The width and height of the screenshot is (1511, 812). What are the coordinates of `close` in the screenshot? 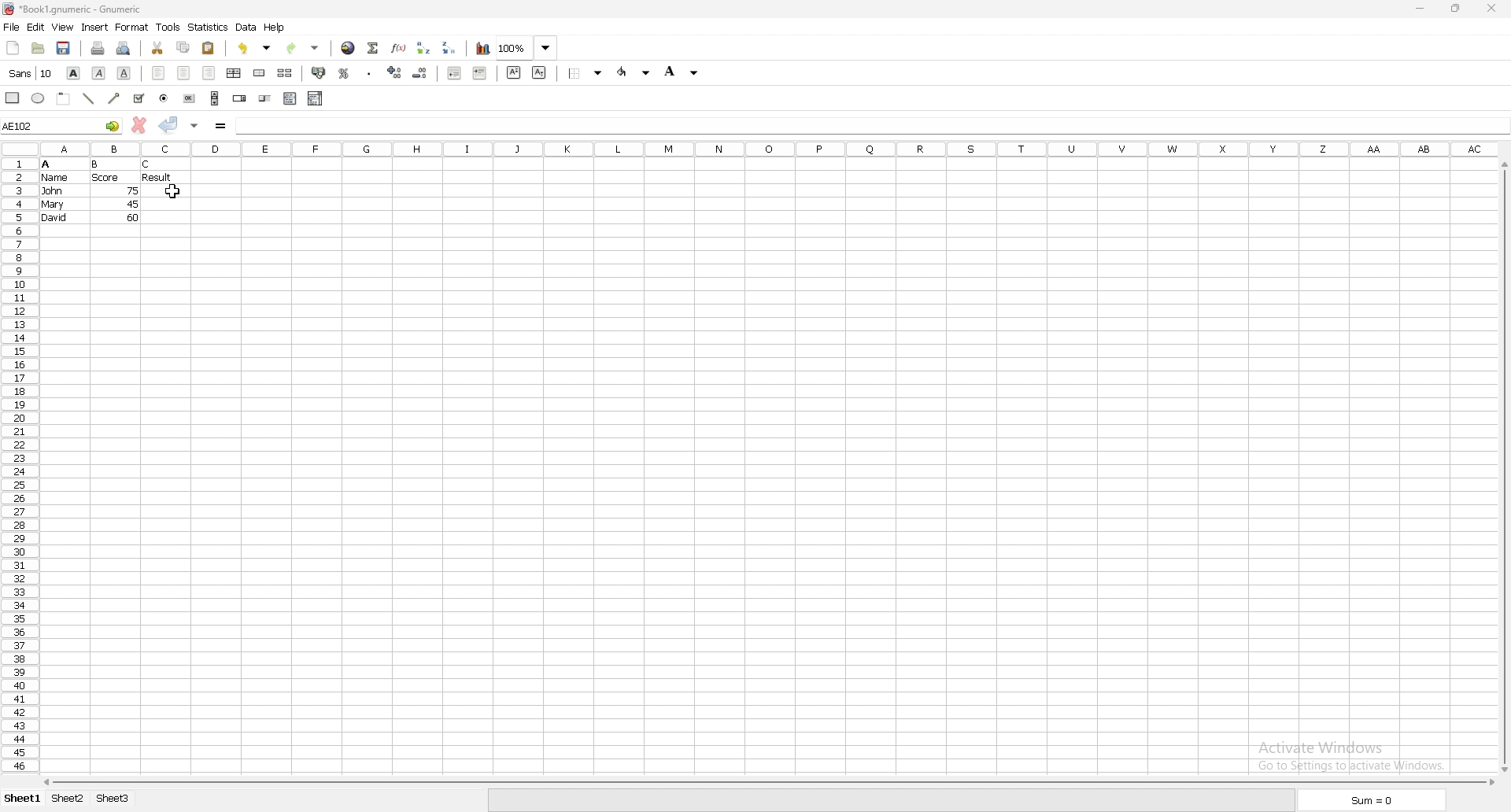 It's located at (1495, 8).